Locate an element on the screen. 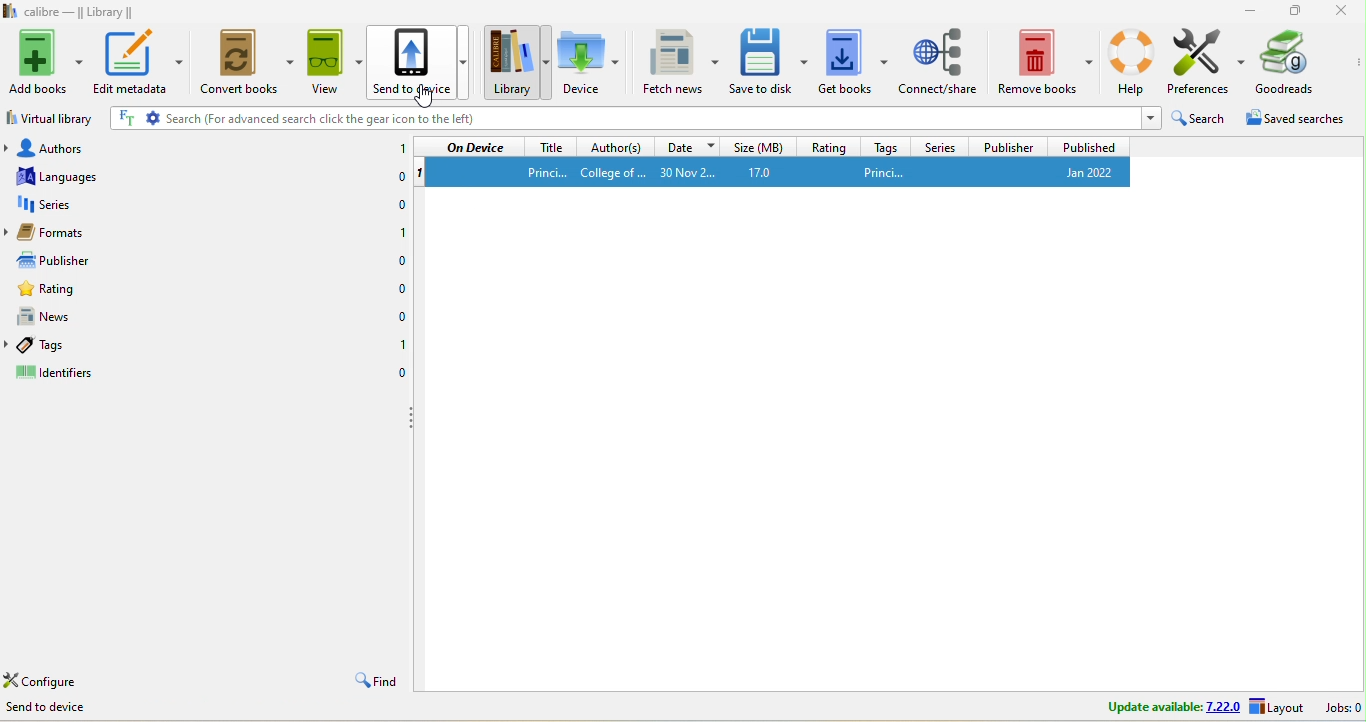  rating is located at coordinates (65, 287).